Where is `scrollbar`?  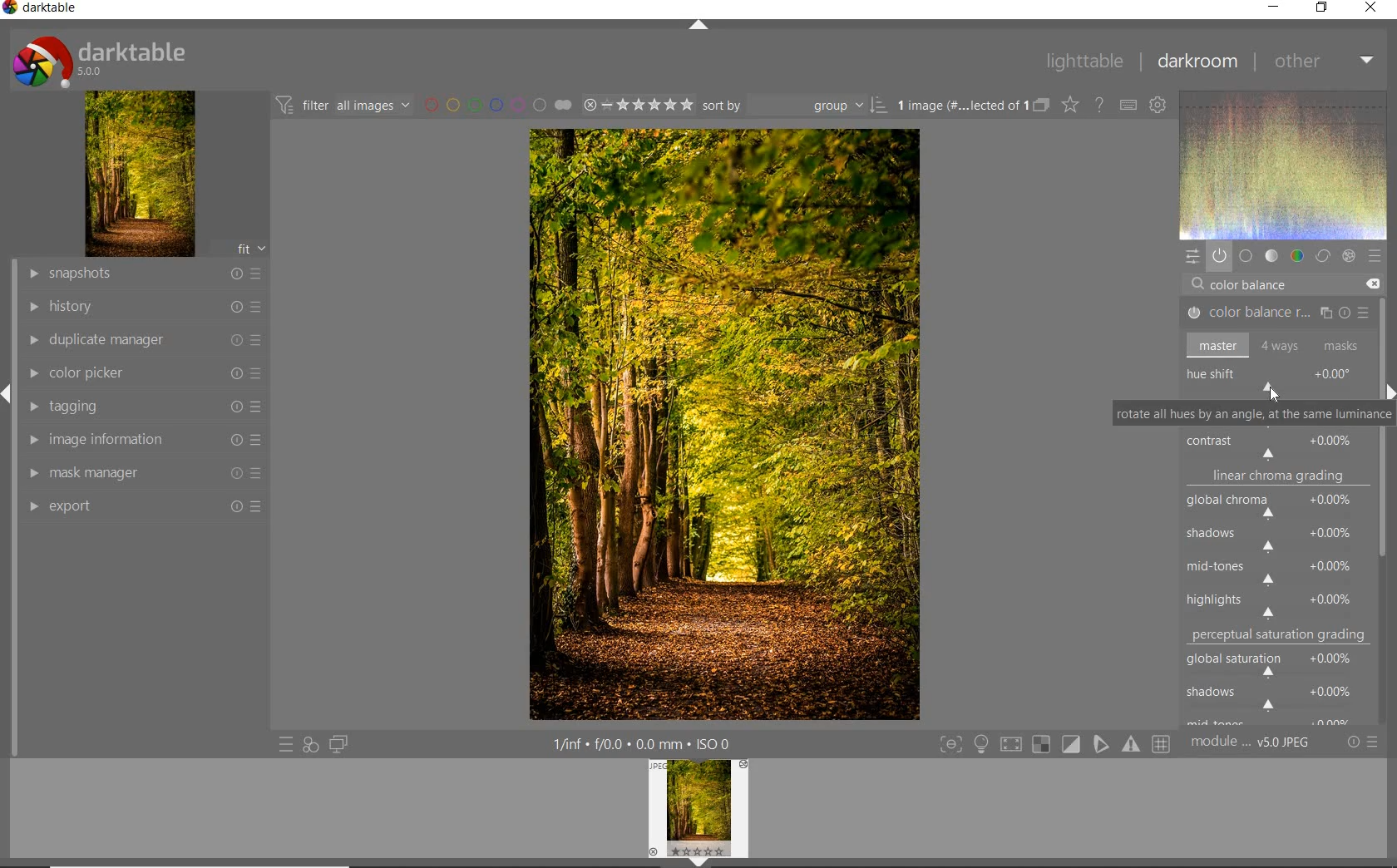
scrollbar is located at coordinates (1384, 330).